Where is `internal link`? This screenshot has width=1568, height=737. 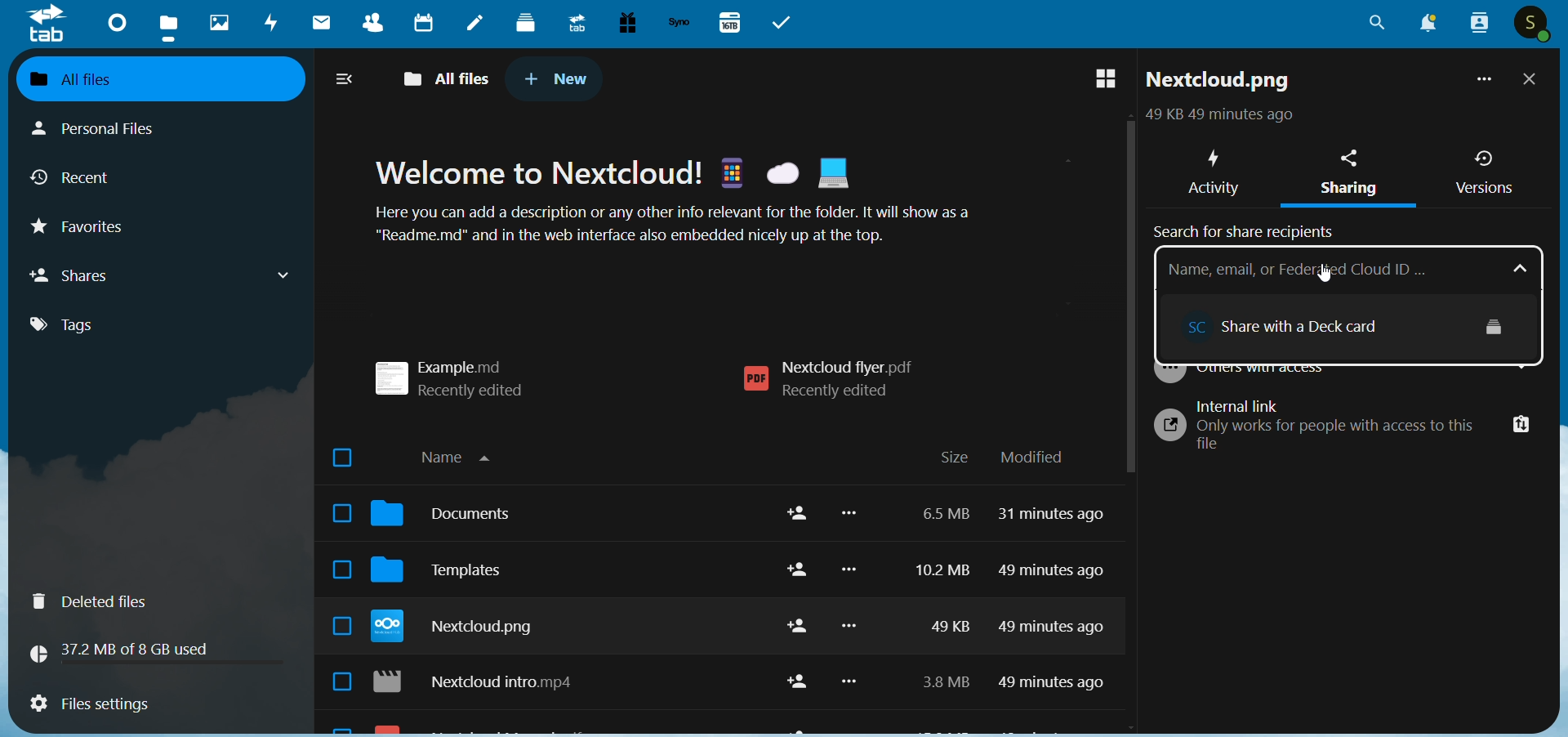
internal link is located at coordinates (1346, 429).